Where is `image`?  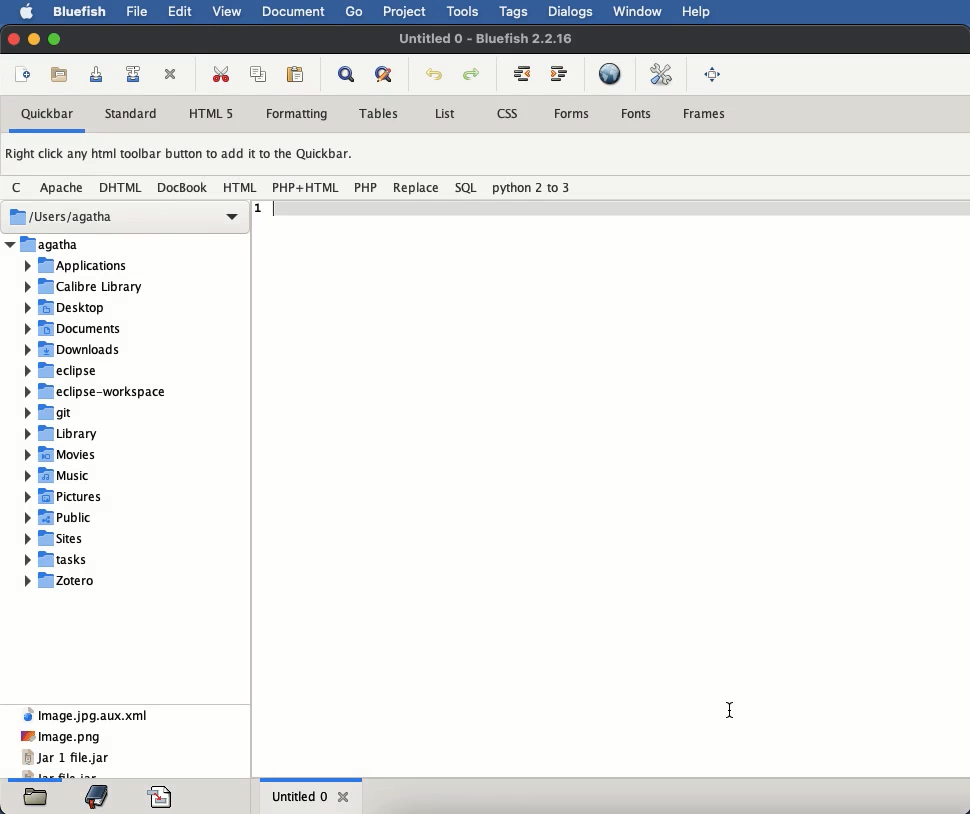 image is located at coordinates (61, 736).